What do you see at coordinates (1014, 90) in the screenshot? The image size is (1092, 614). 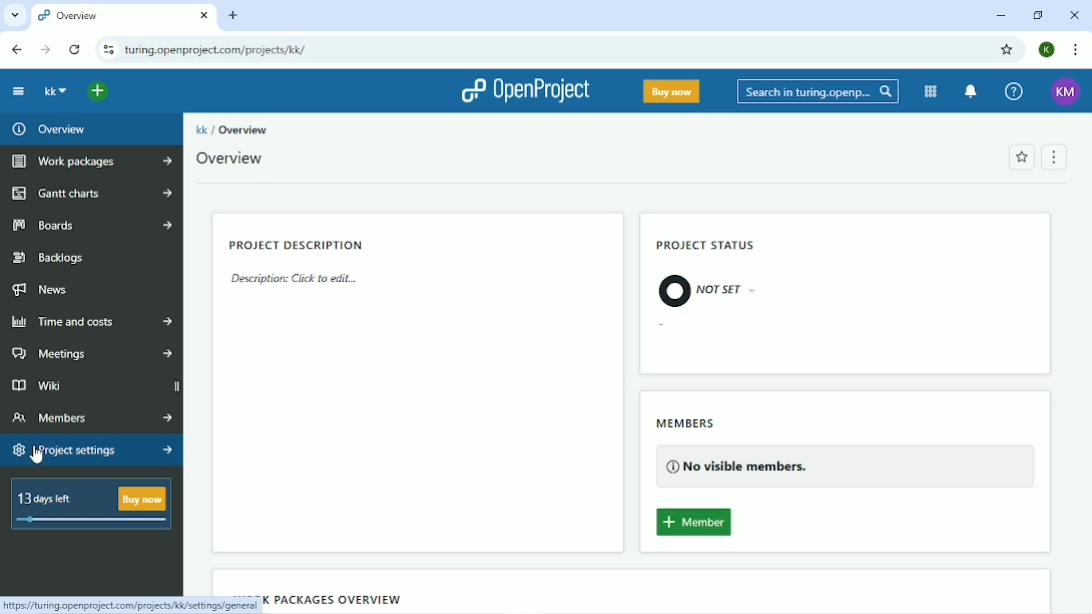 I see `Help` at bounding box center [1014, 90].